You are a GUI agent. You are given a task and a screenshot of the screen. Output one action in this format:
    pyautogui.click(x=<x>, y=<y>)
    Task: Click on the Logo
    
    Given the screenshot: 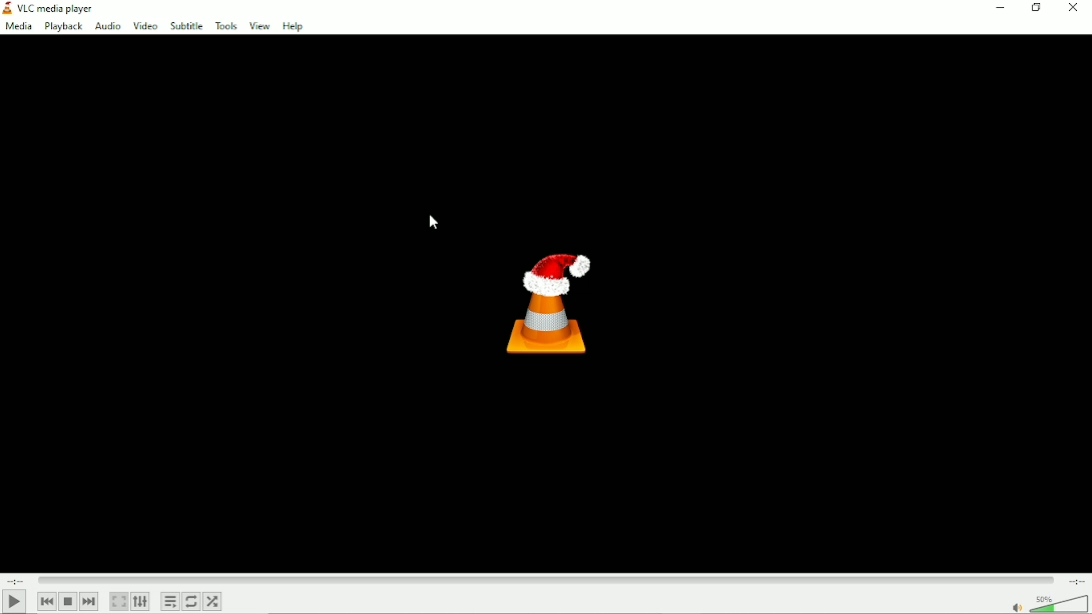 What is the action you would take?
    pyautogui.click(x=546, y=300)
    